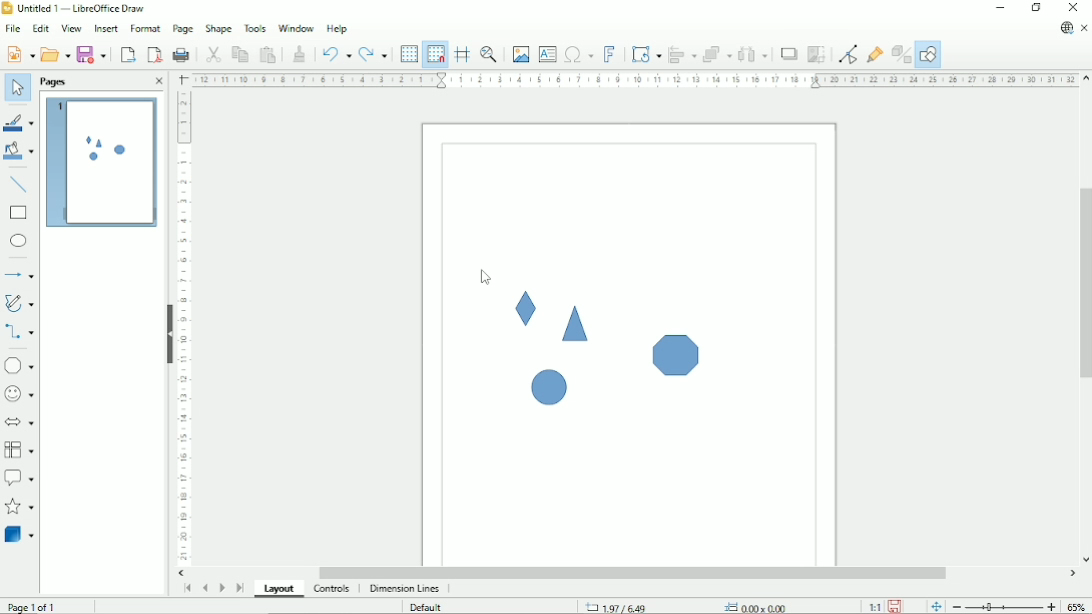 This screenshot has width=1092, height=614. Describe the element at coordinates (1066, 28) in the screenshot. I see `Update available` at that location.